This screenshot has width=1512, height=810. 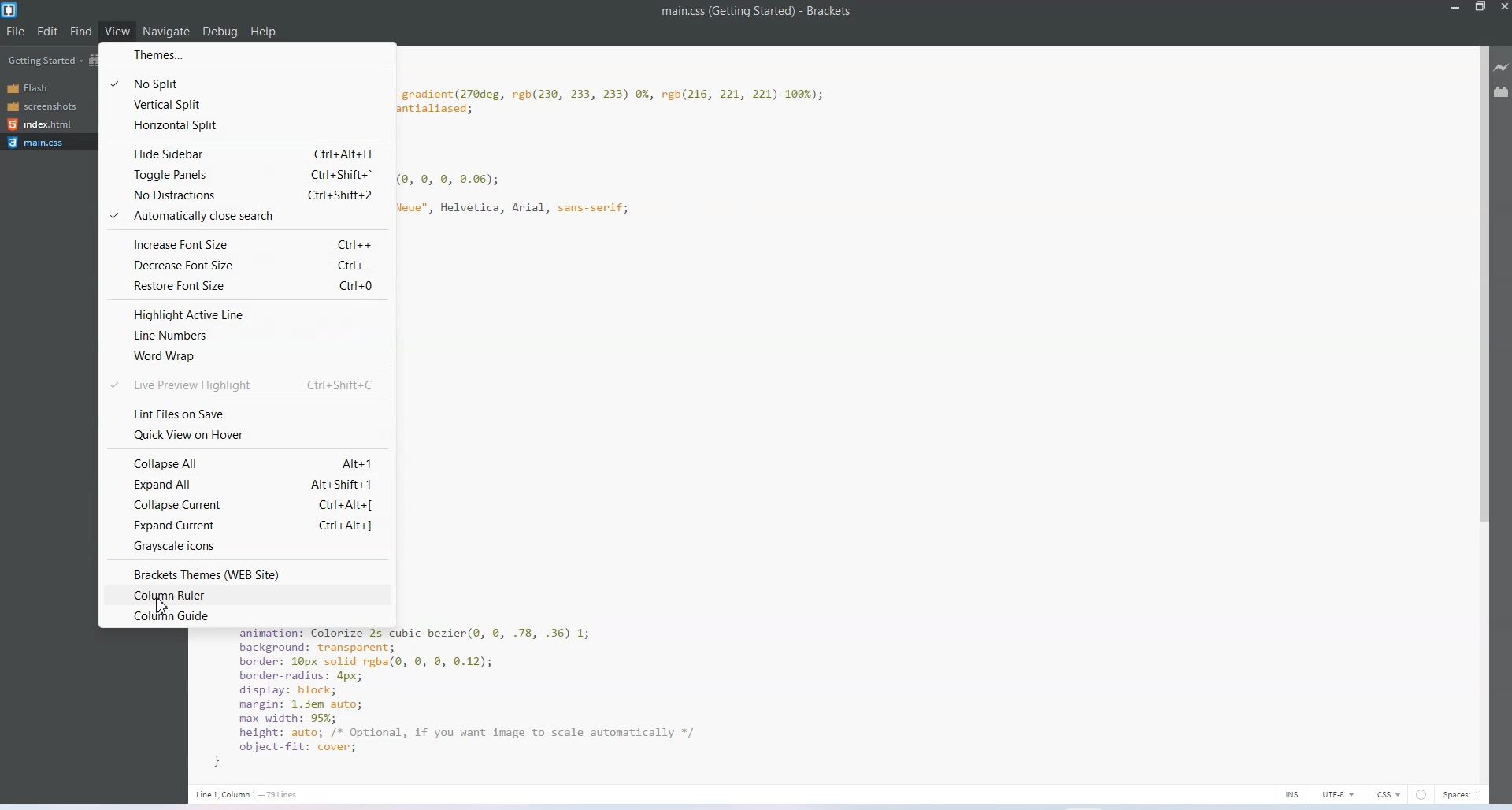 What do you see at coordinates (246, 124) in the screenshot?
I see `horizontal split` at bounding box center [246, 124].